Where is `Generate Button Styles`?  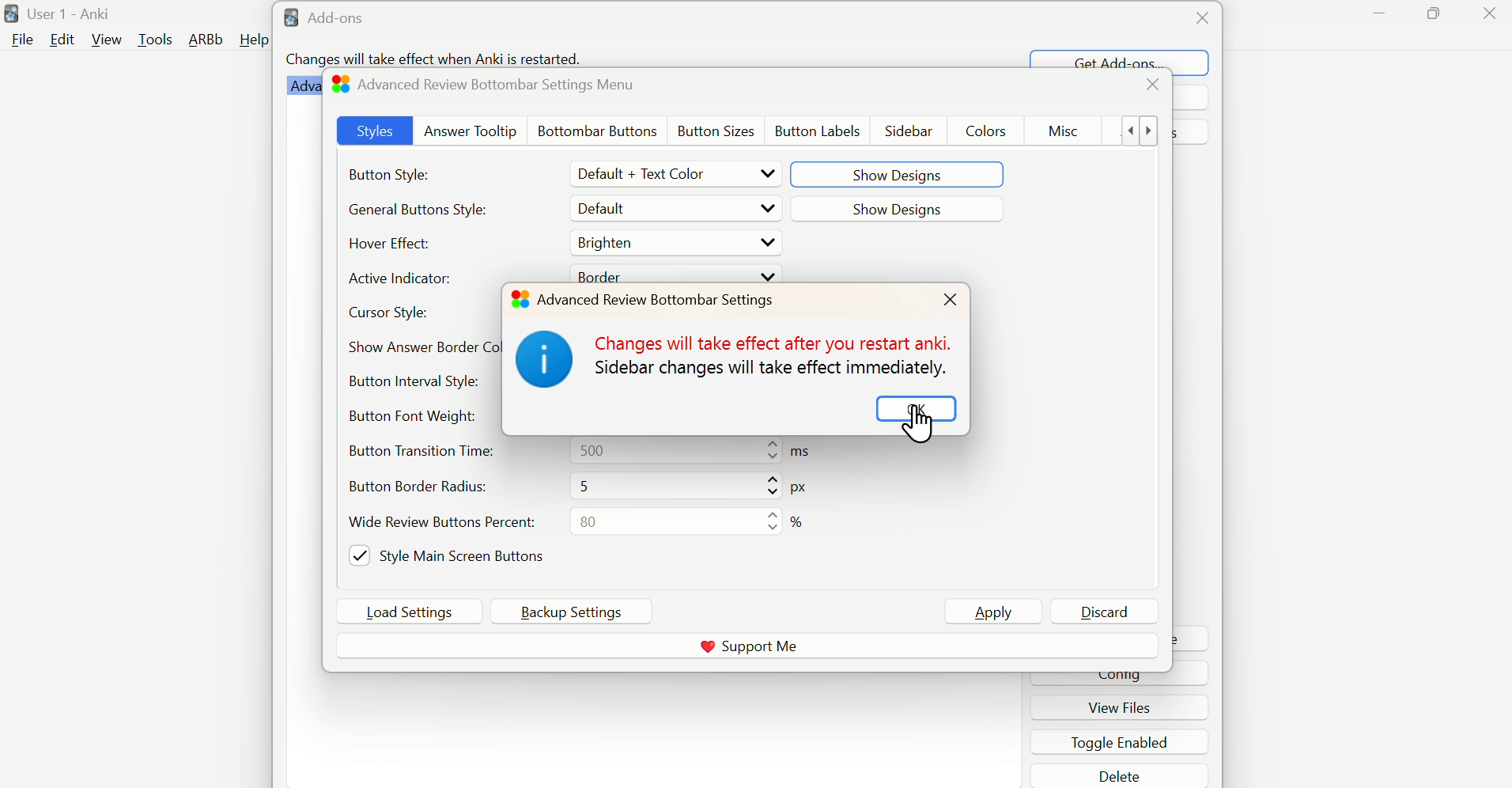 Generate Button Styles is located at coordinates (421, 210).